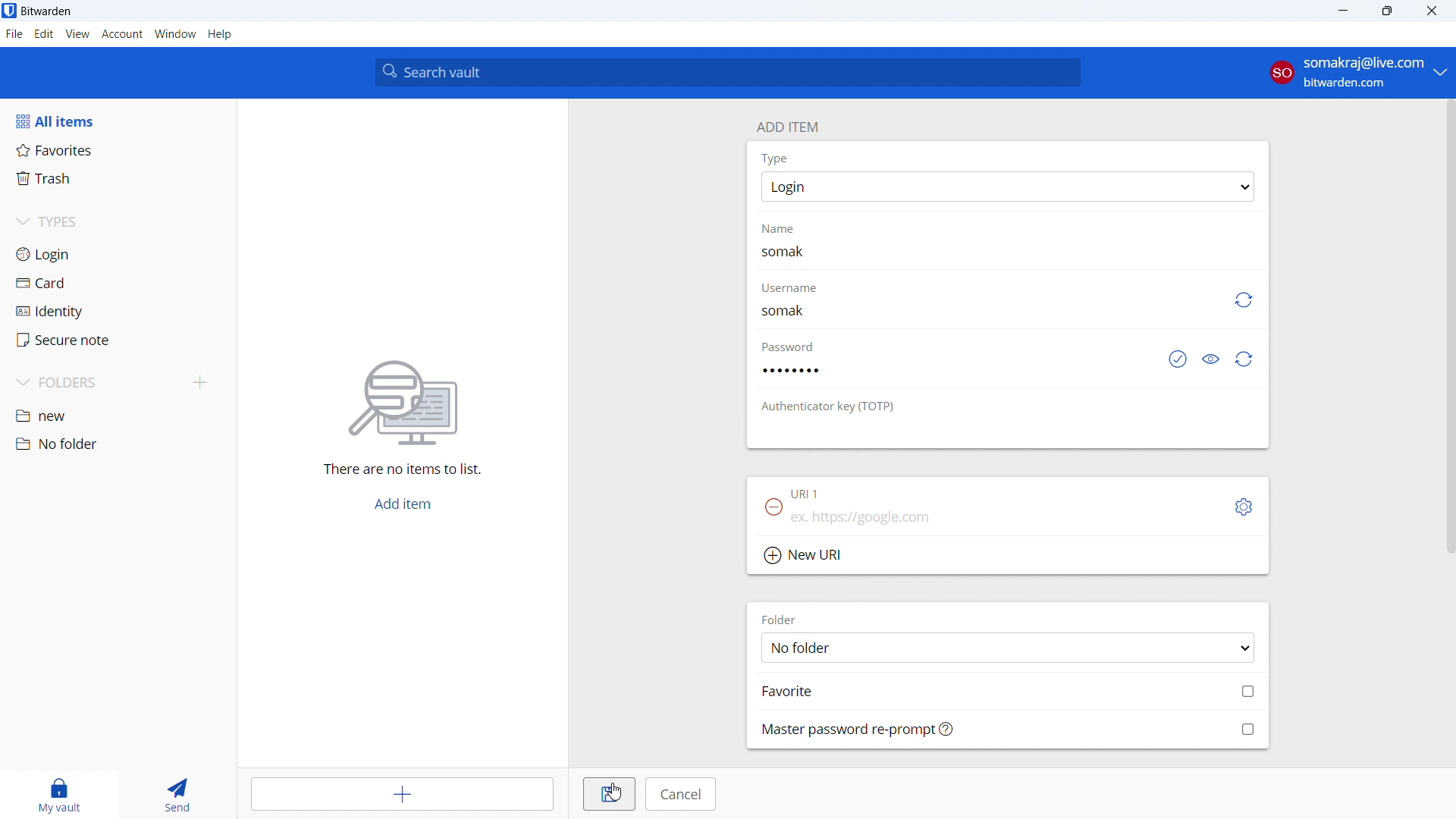 This screenshot has width=1456, height=819. Describe the element at coordinates (786, 312) in the screenshot. I see `username added` at that location.